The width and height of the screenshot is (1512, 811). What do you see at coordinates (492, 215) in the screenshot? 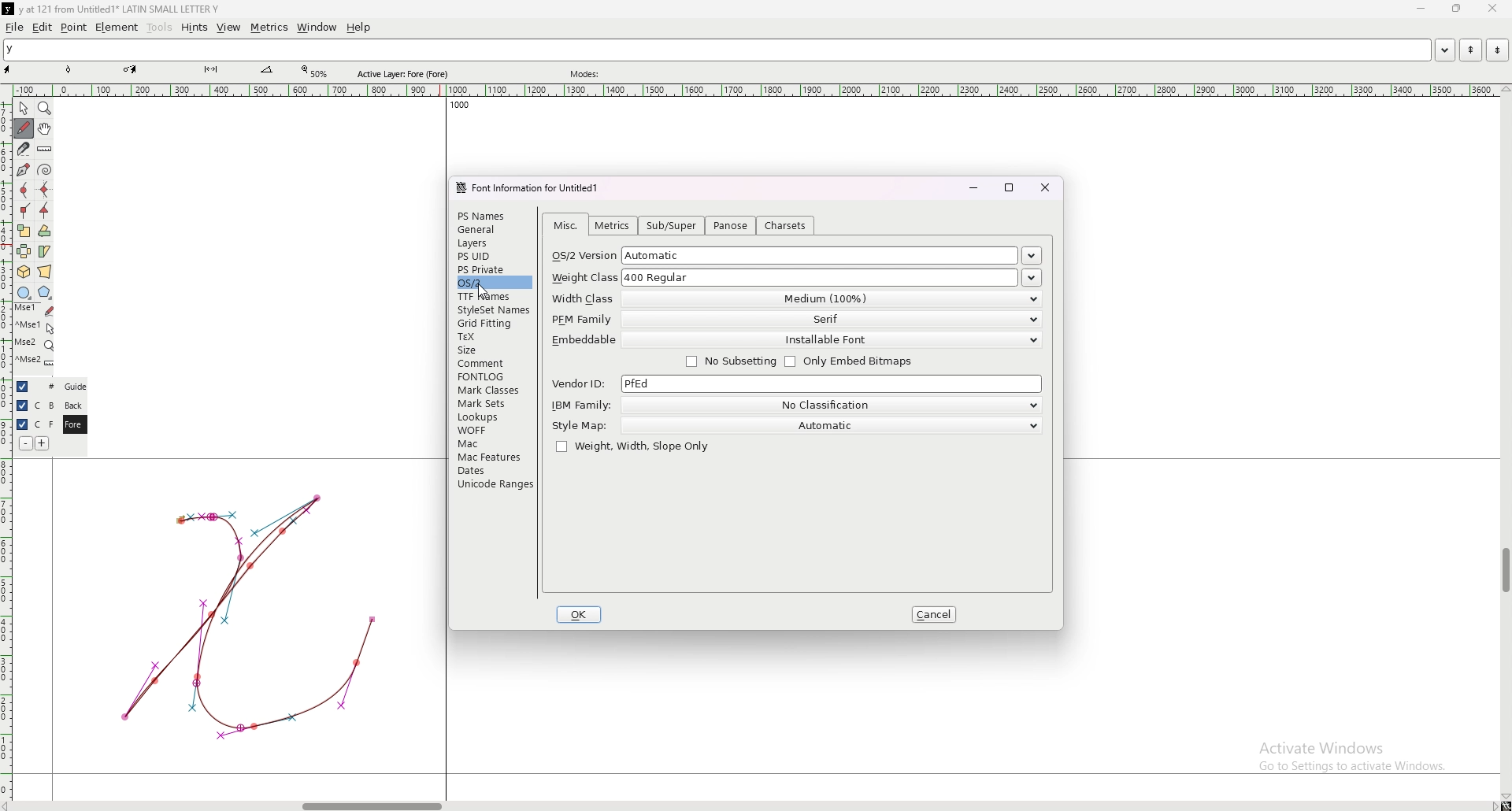
I see `ps names` at bounding box center [492, 215].